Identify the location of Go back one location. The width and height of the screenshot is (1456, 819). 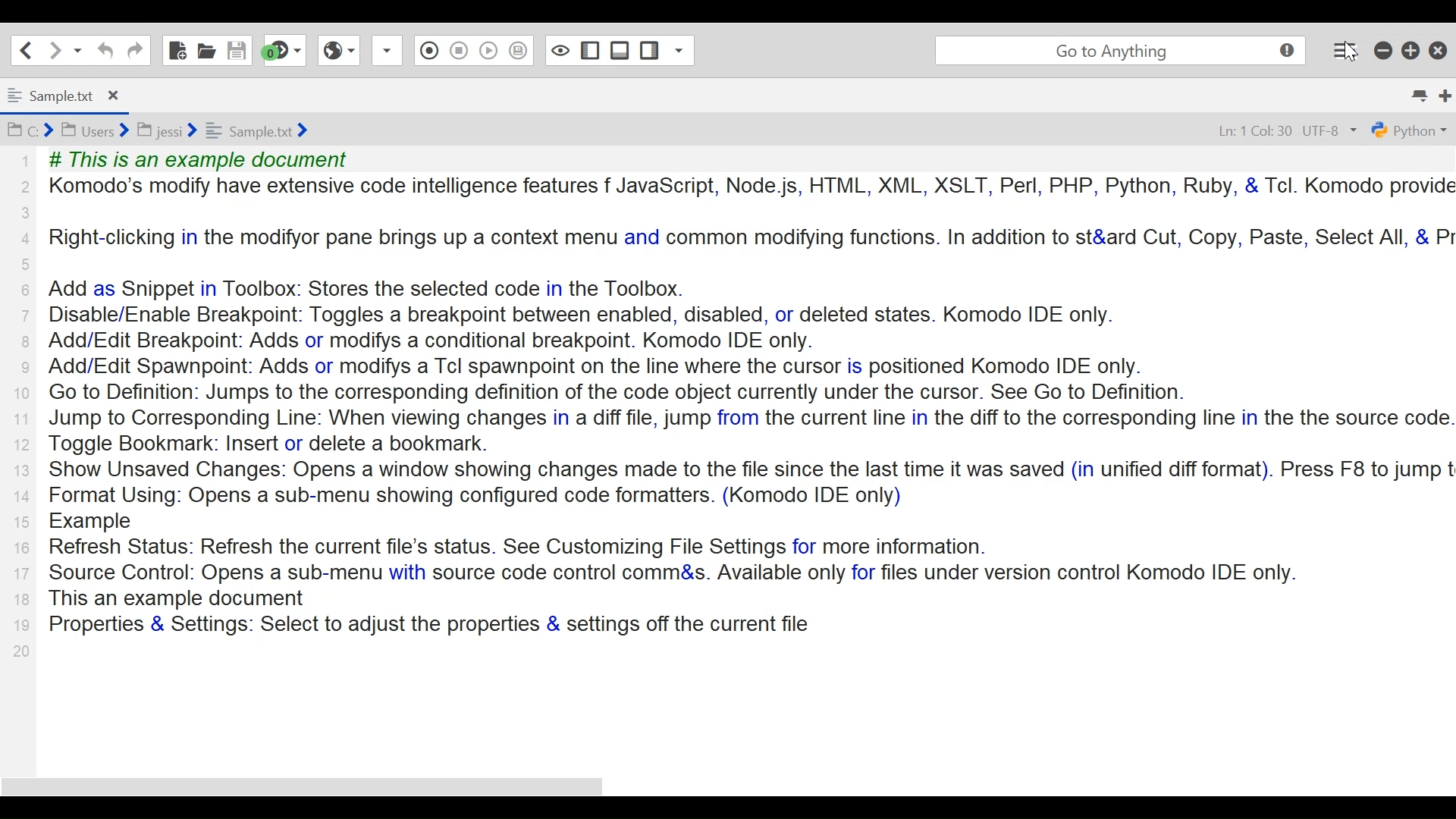
(26, 49).